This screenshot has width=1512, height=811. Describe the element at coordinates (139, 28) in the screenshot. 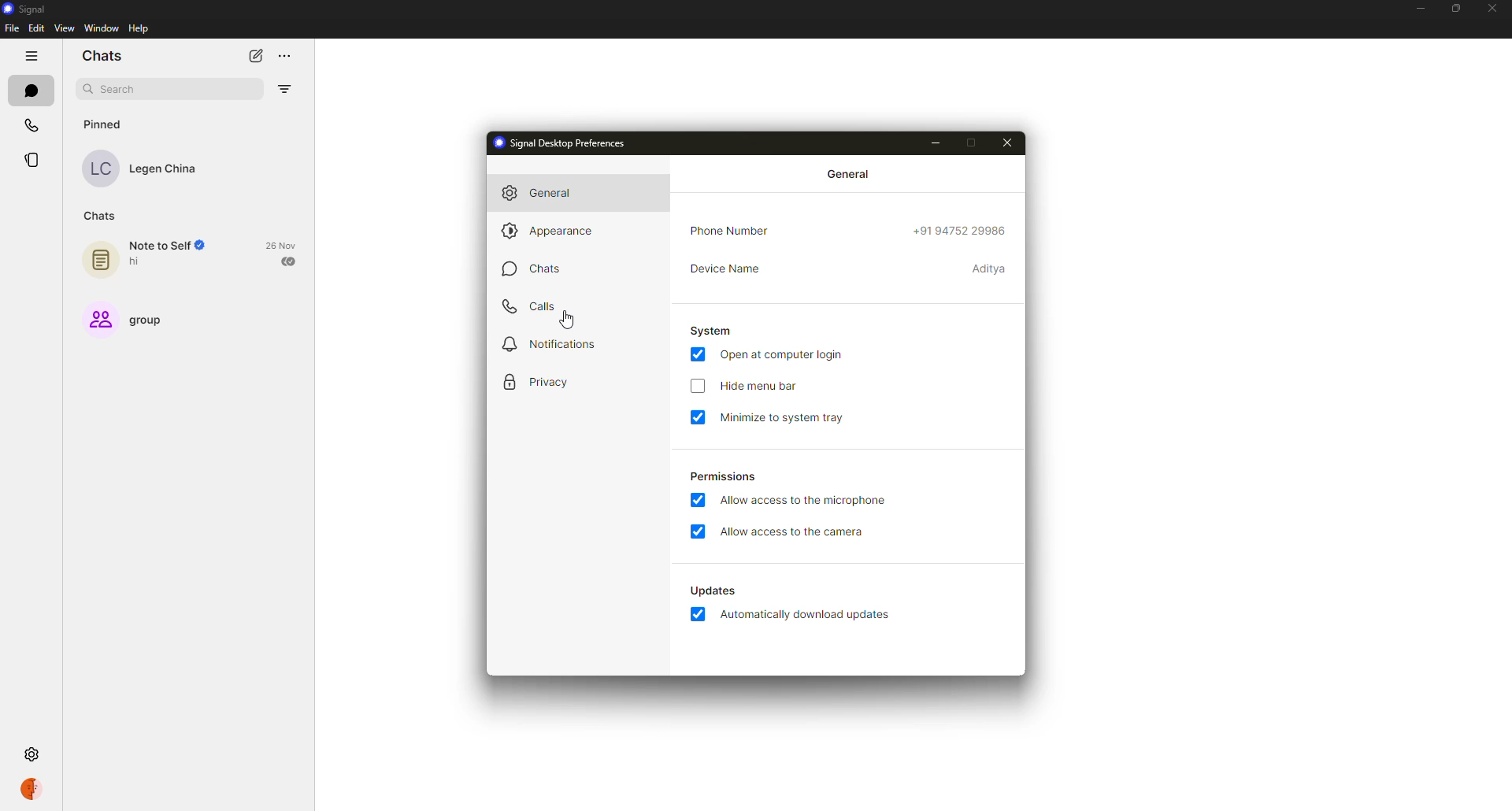

I see `help` at that location.